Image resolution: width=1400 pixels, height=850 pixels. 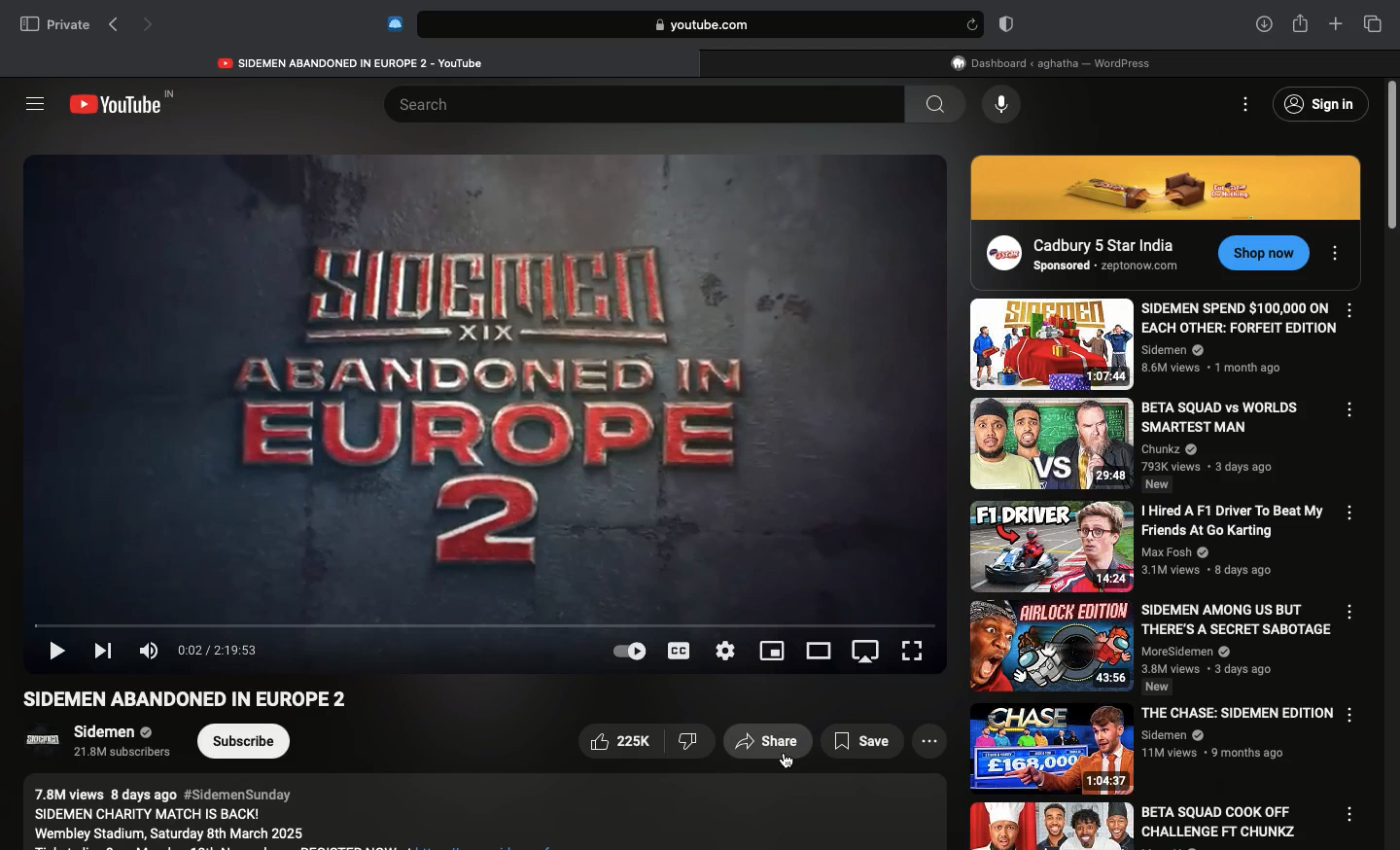 What do you see at coordinates (34, 103) in the screenshot?
I see `Sidebar` at bounding box center [34, 103].